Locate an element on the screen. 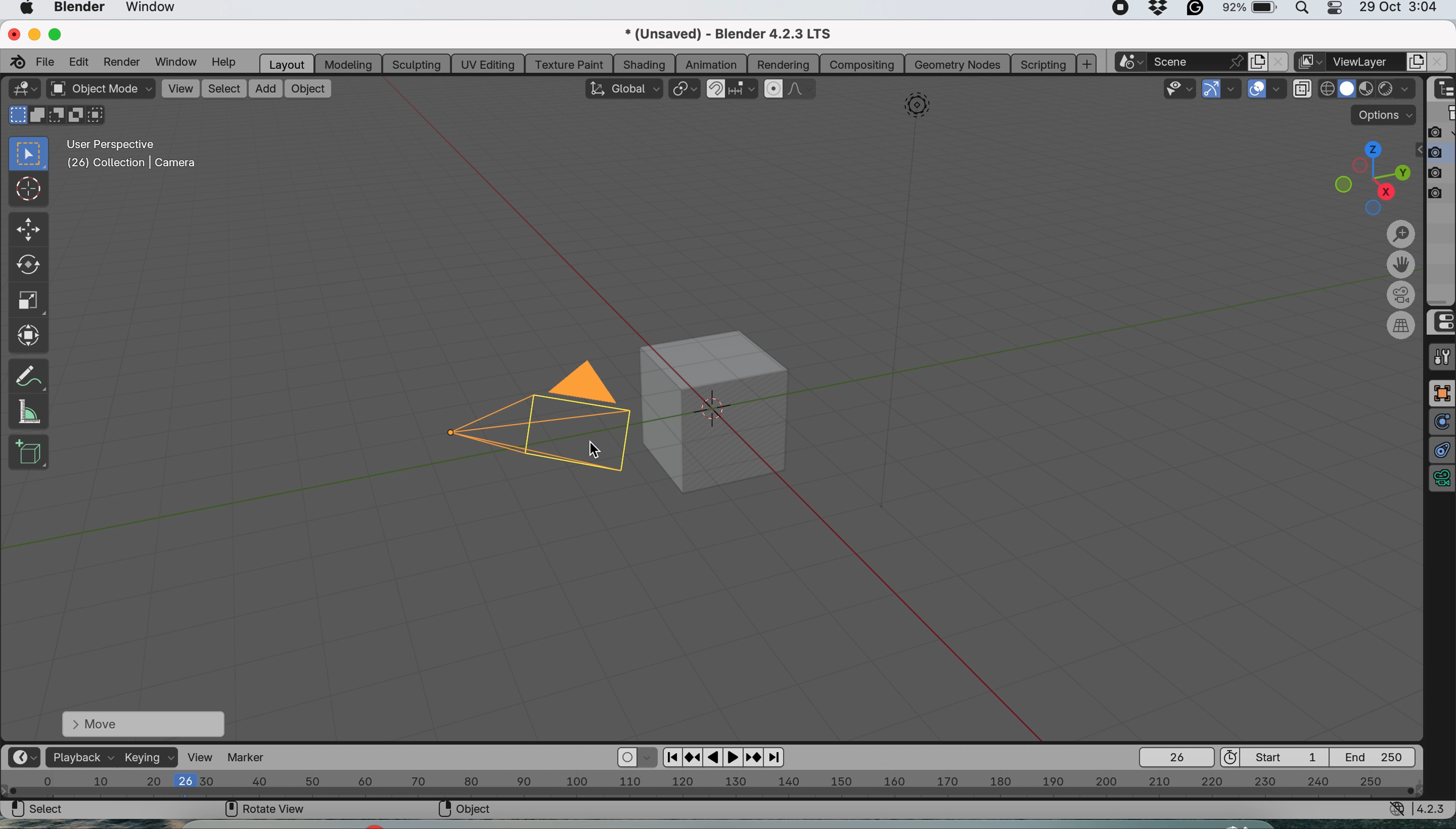  file is located at coordinates (47, 61).